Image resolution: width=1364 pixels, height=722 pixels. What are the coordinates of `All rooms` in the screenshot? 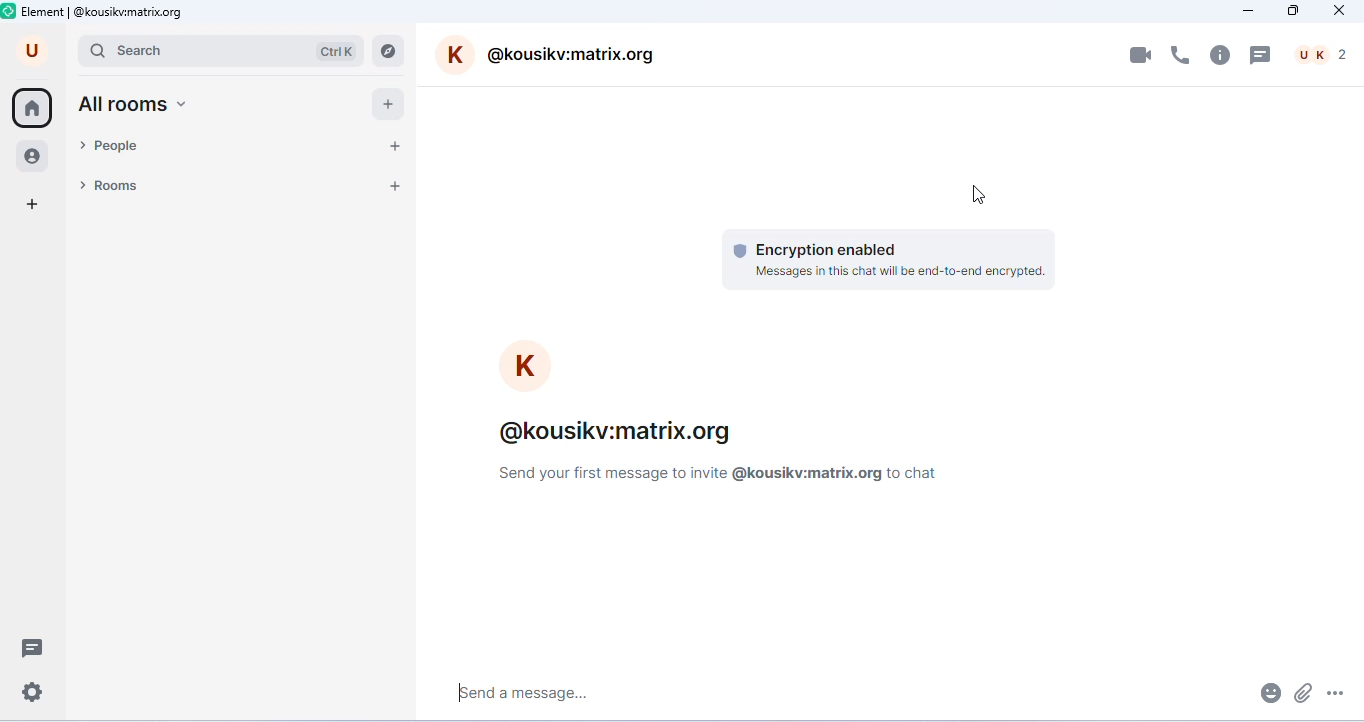 It's located at (131, 106).